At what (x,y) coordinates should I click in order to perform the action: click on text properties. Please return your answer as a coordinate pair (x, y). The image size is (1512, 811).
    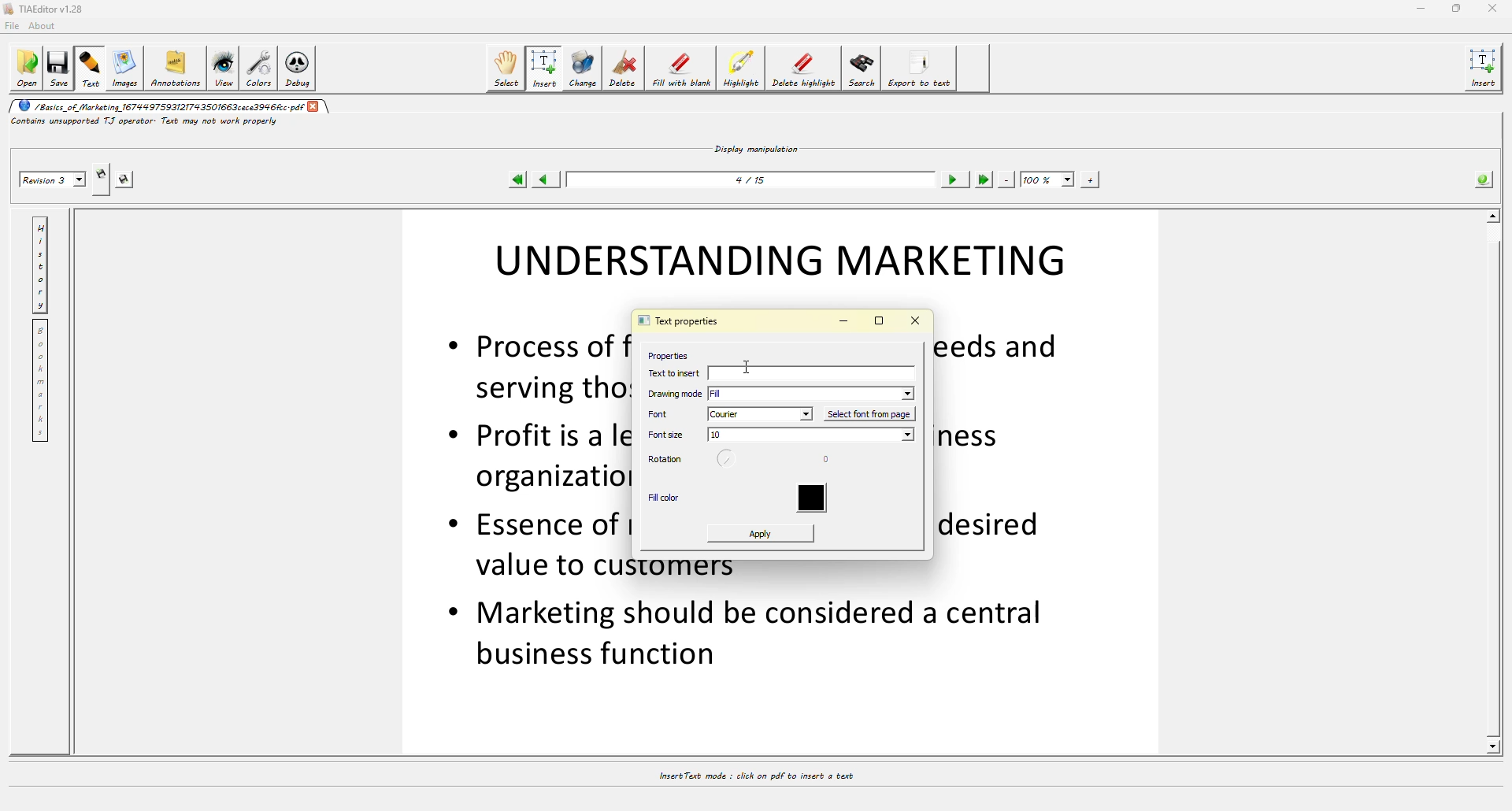
    Looking at the image, I should click on (677, 322).